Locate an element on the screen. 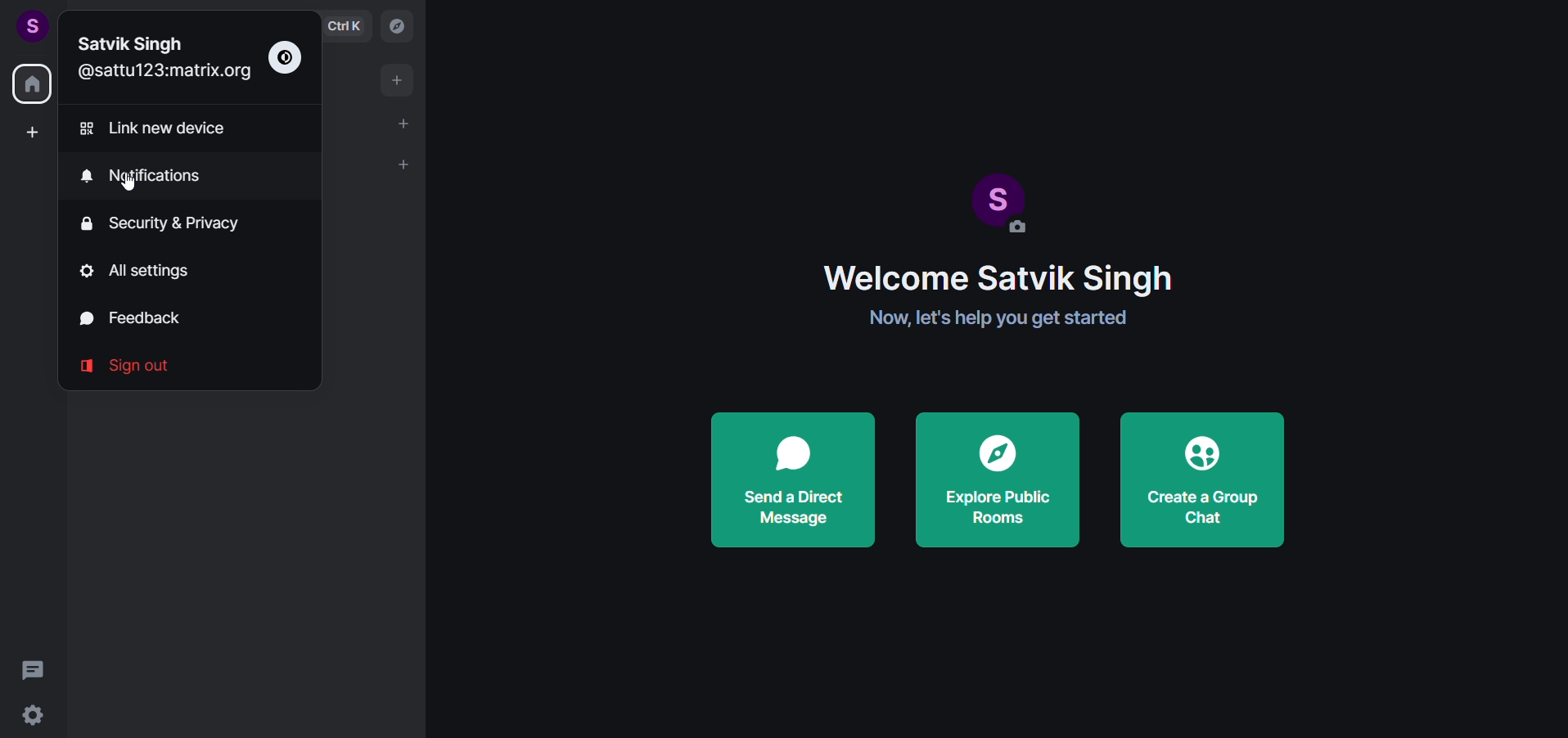 This screenshot has width=1568, height=738. list opton is located at coordinates (408, 164).